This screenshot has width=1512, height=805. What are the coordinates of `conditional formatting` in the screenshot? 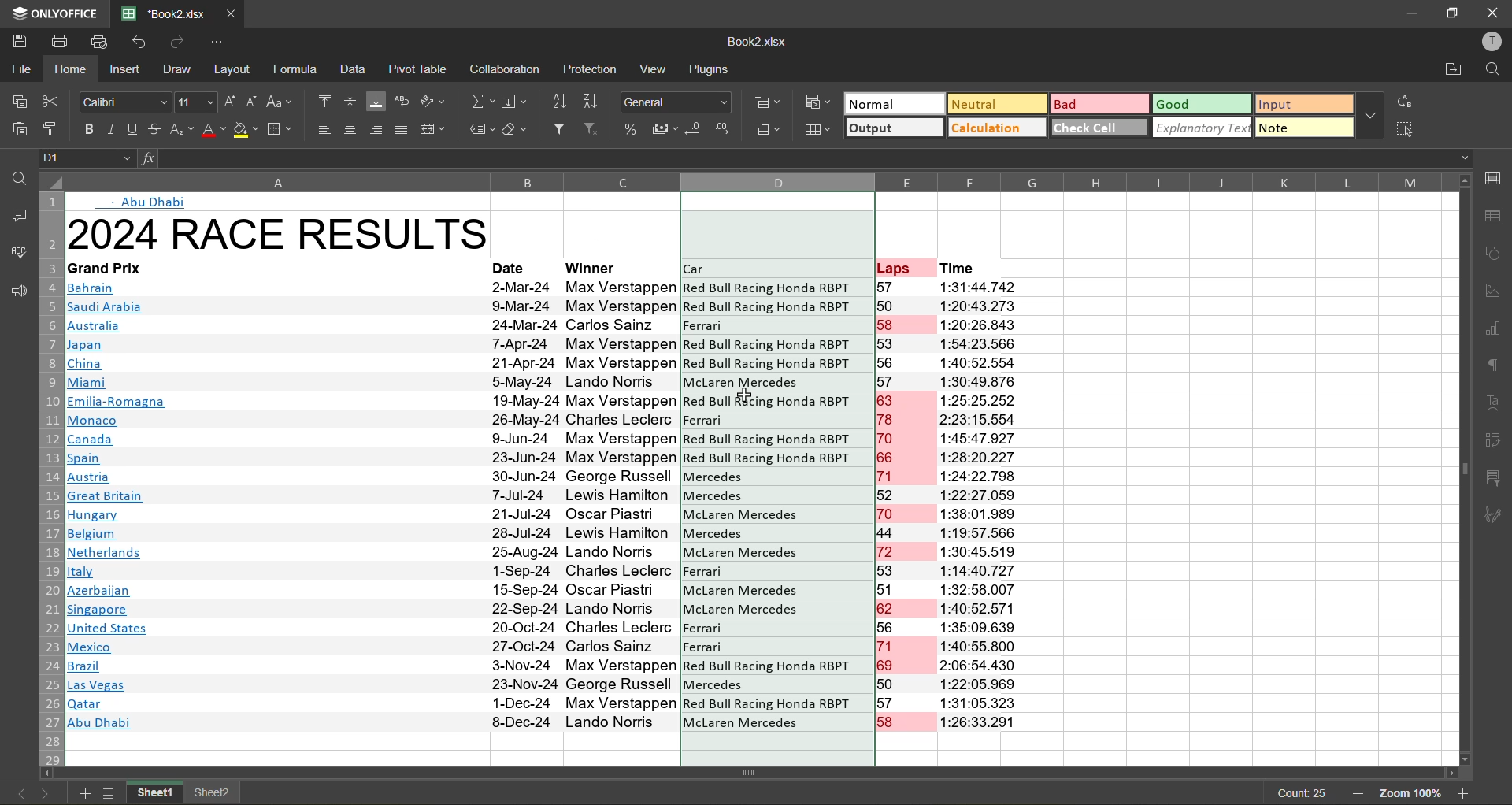 It's located at (819, 102).